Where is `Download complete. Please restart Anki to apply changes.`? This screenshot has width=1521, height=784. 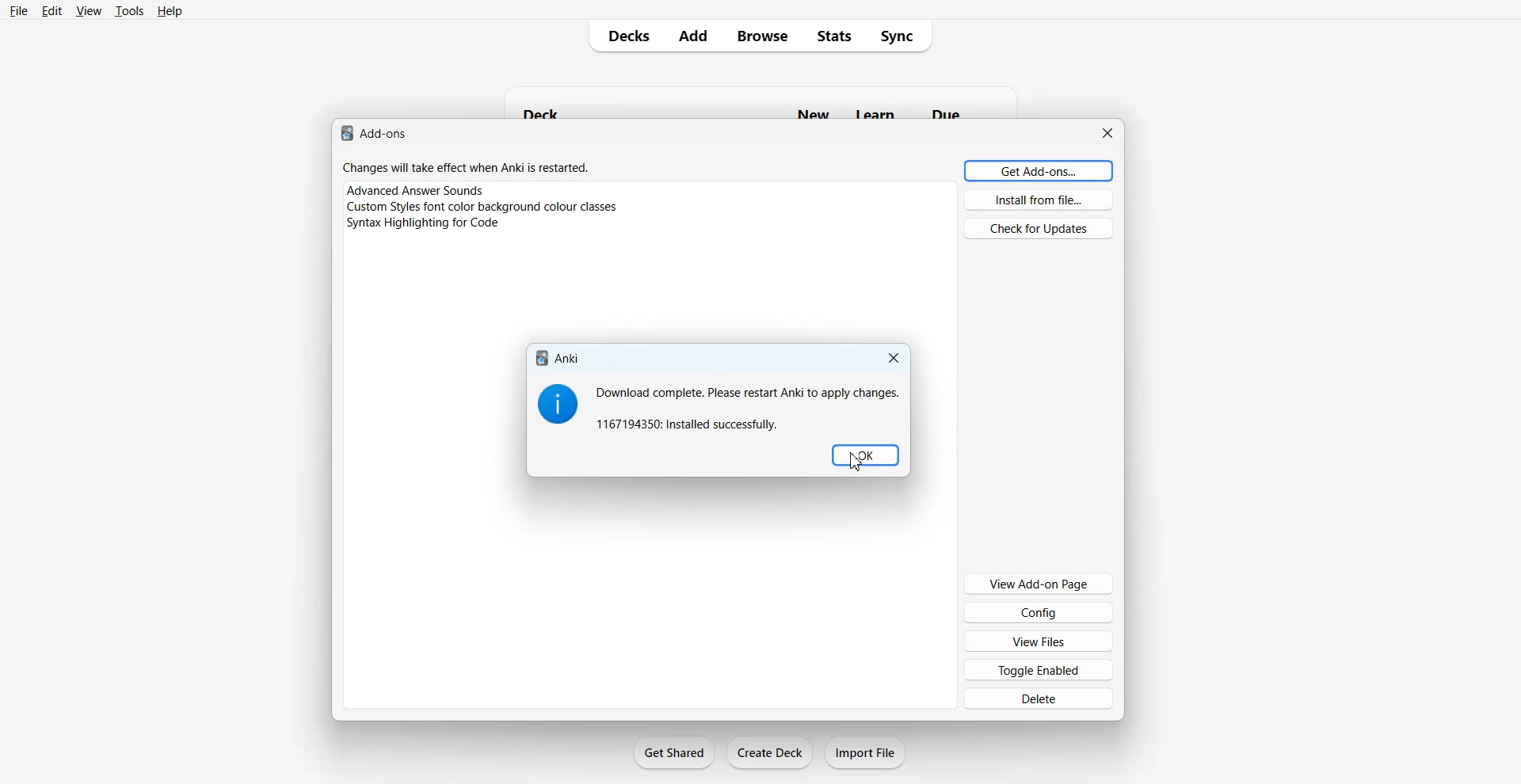 Download complete. Please restart Anki to apply changes. is located at coordinates (749, 392).